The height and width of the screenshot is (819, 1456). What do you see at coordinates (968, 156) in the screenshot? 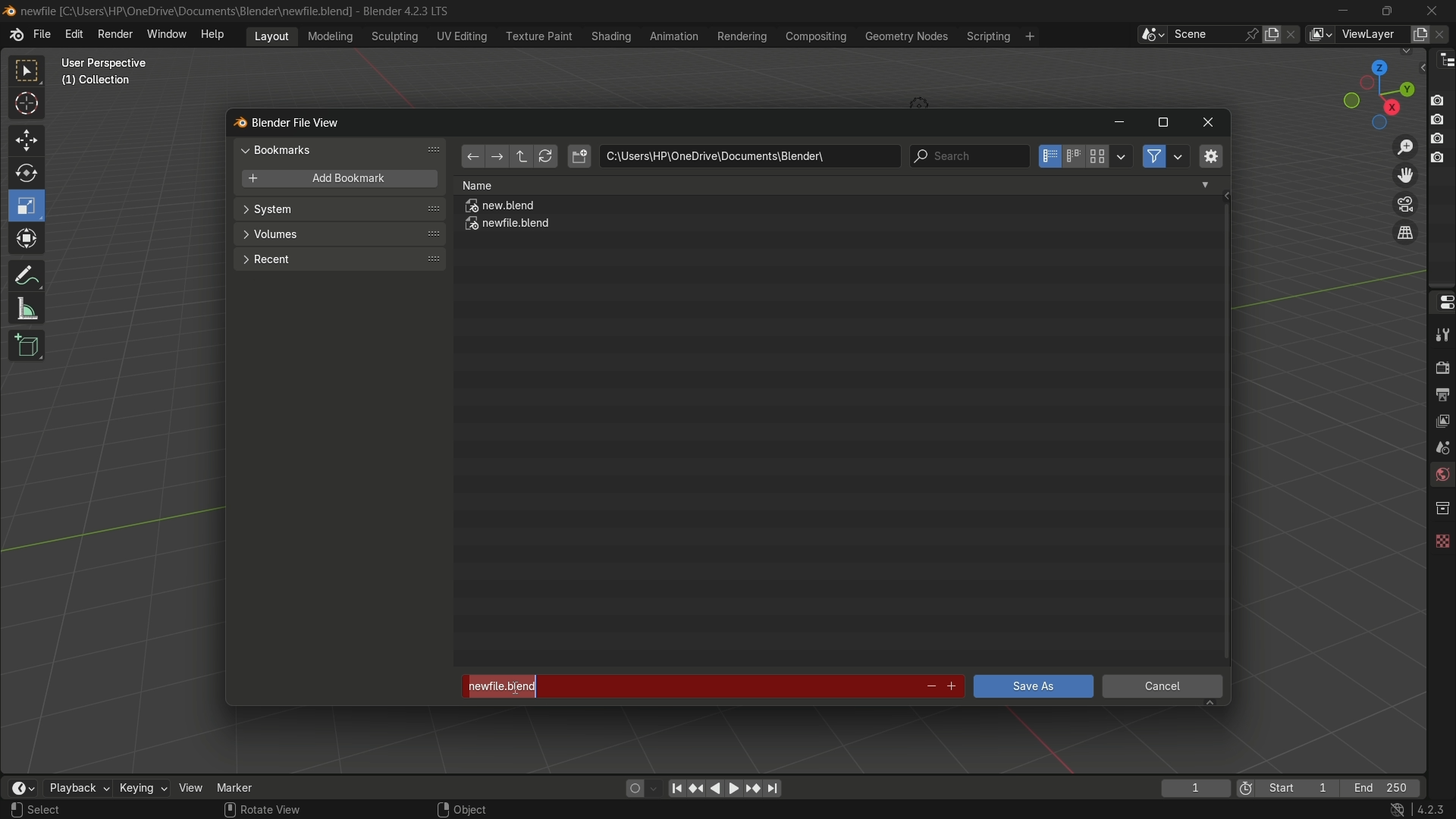
I see `search bar` at bounding box center [968, 156].